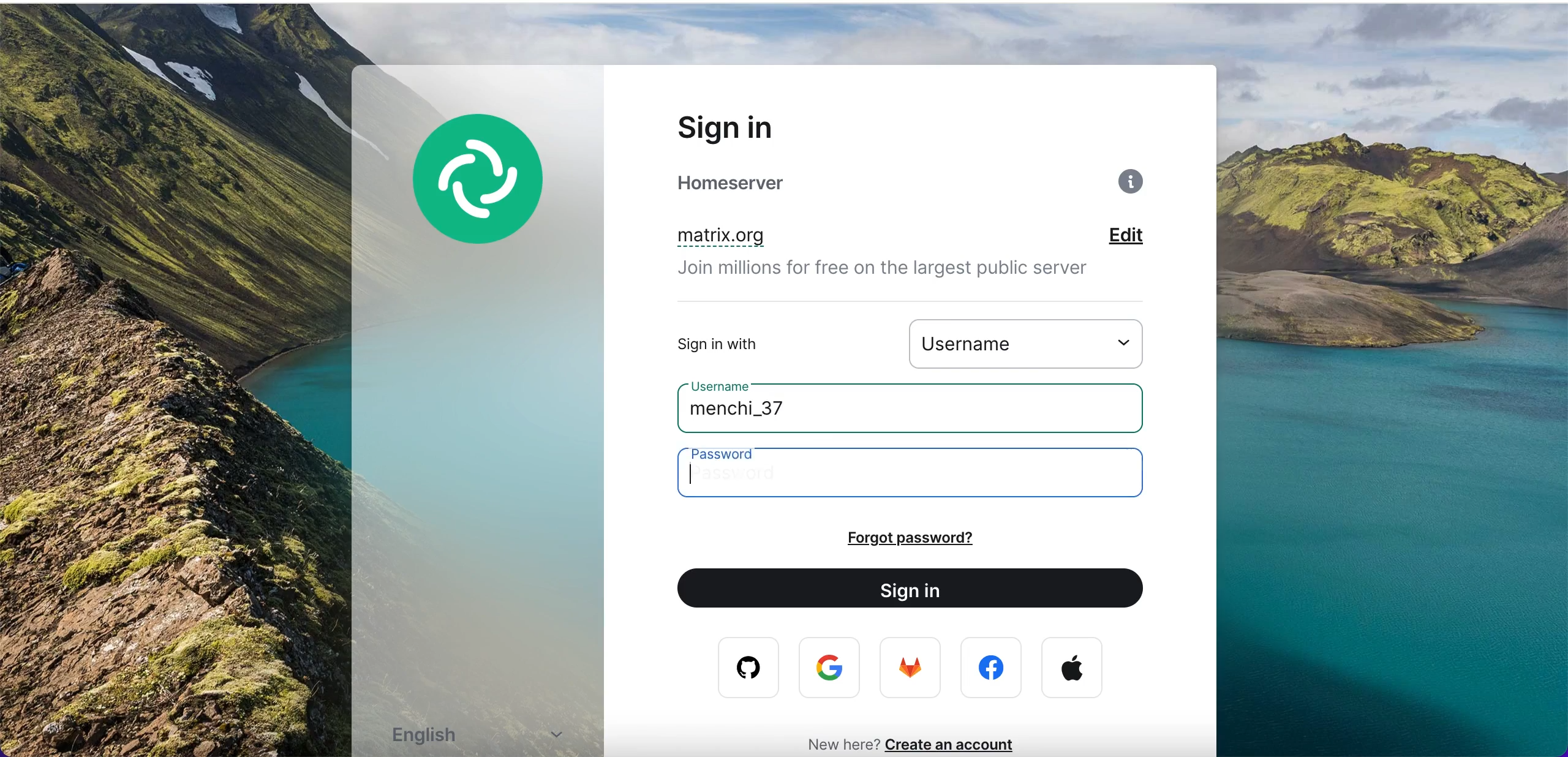  Describe the element at coordinates (758, 127) in the screenshot. I see `sign in` at that location.